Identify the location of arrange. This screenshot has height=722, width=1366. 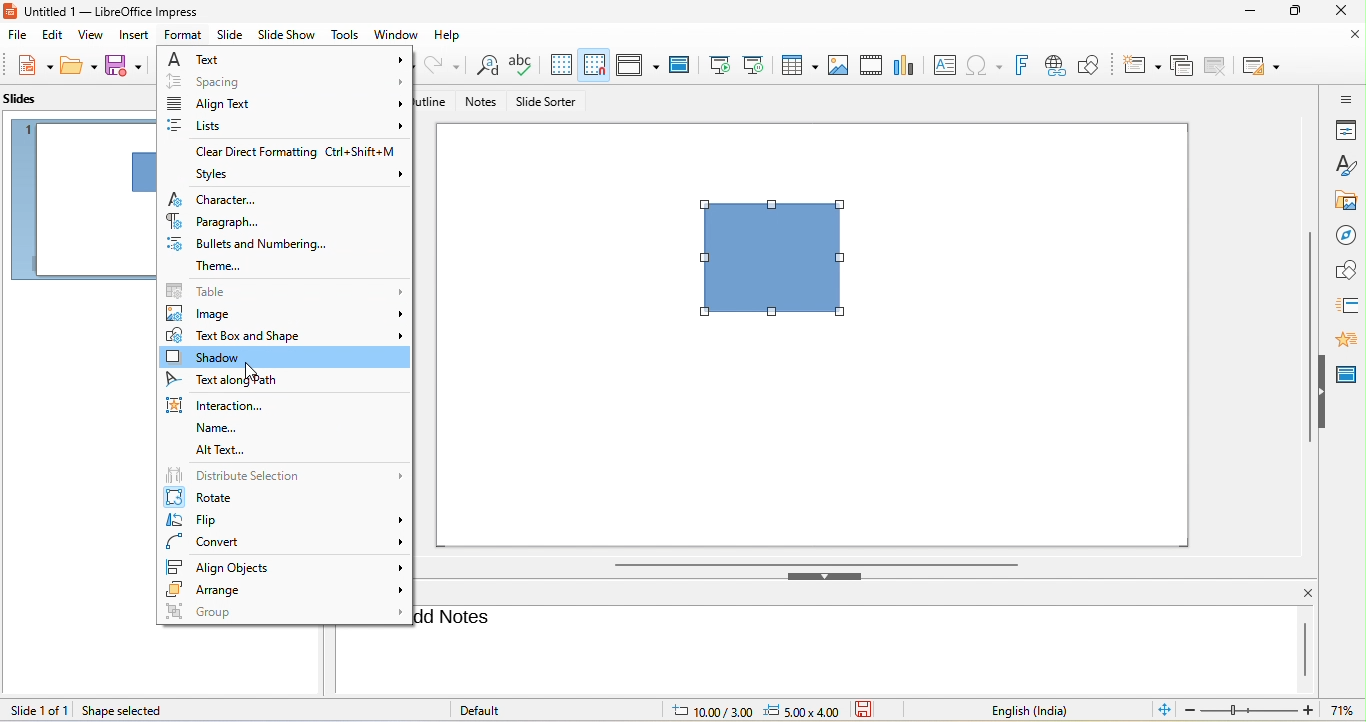
(285, 592).